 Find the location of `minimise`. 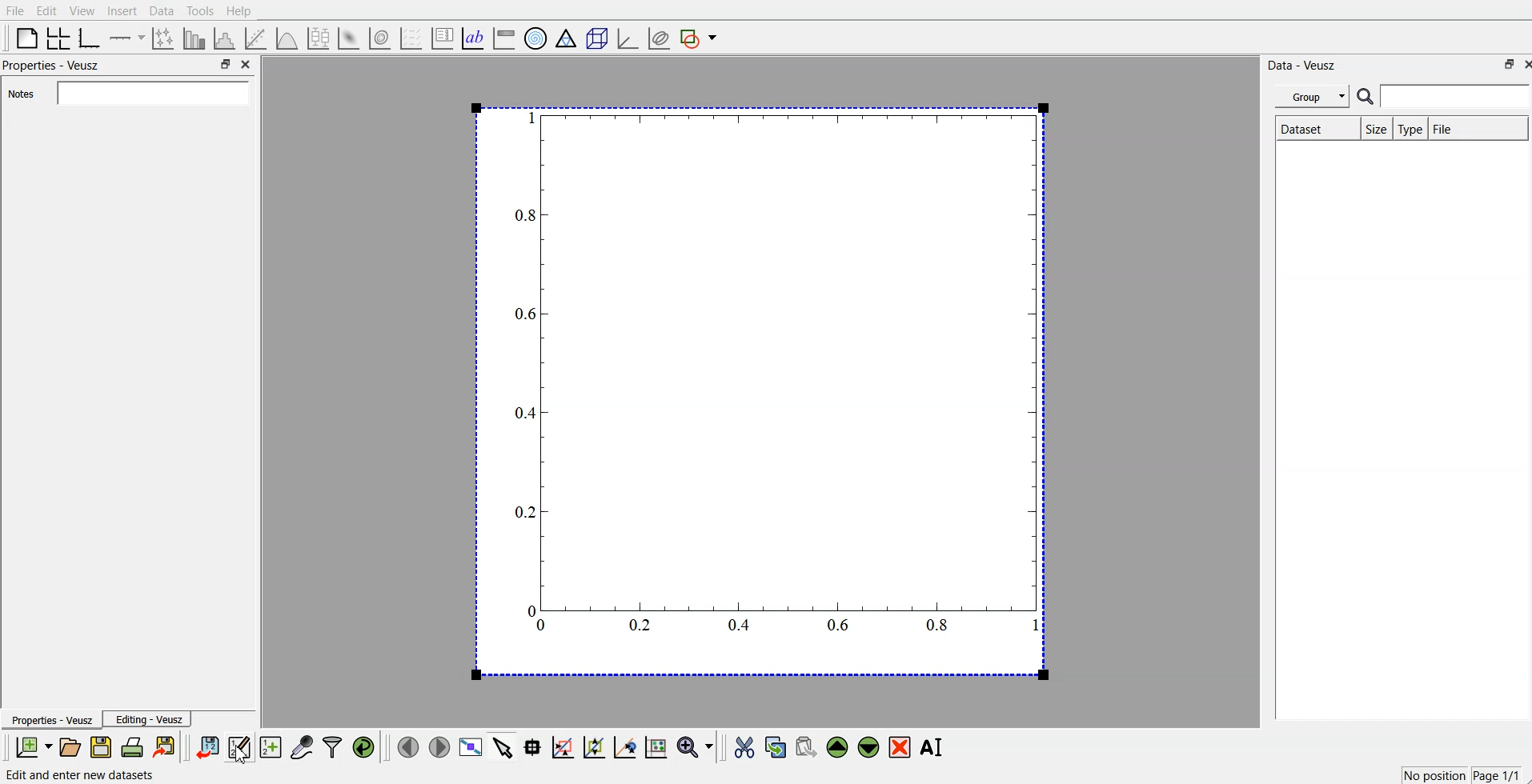

minimise is located at coordinates (1504, 64).